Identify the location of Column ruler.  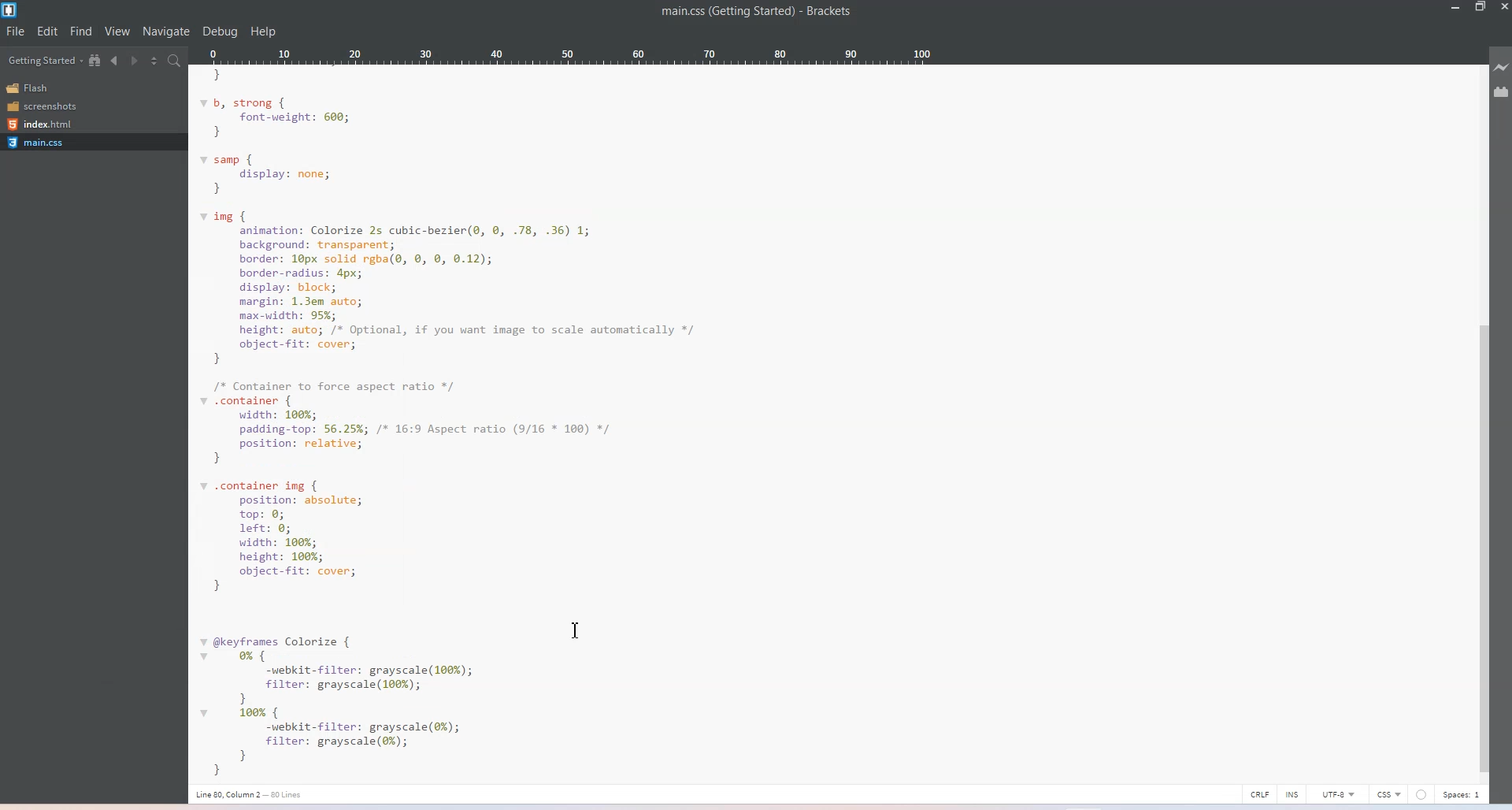
(569, 56).